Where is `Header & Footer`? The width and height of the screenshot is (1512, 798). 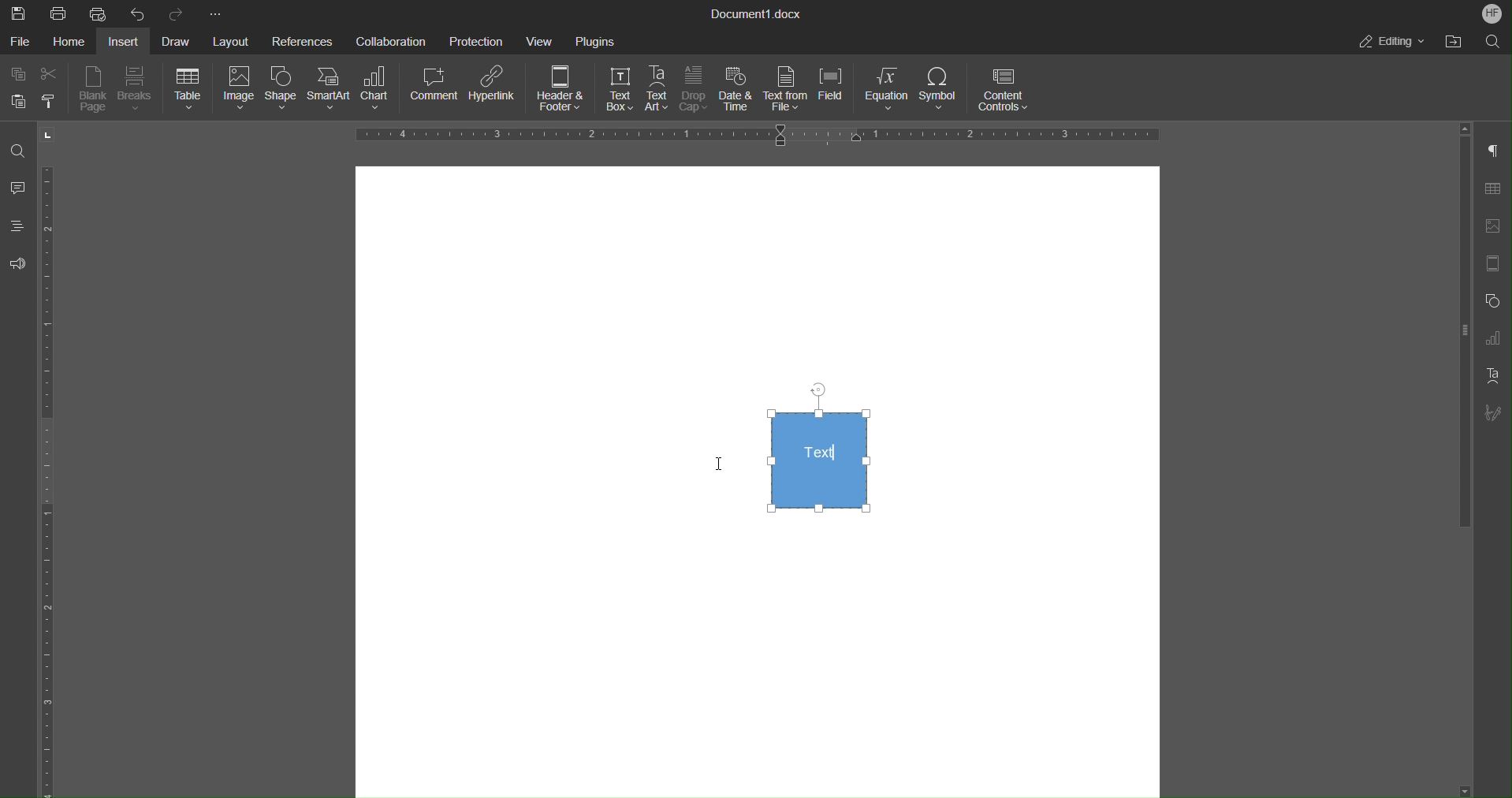 Header & Footer is located at coordinates (562, 91).